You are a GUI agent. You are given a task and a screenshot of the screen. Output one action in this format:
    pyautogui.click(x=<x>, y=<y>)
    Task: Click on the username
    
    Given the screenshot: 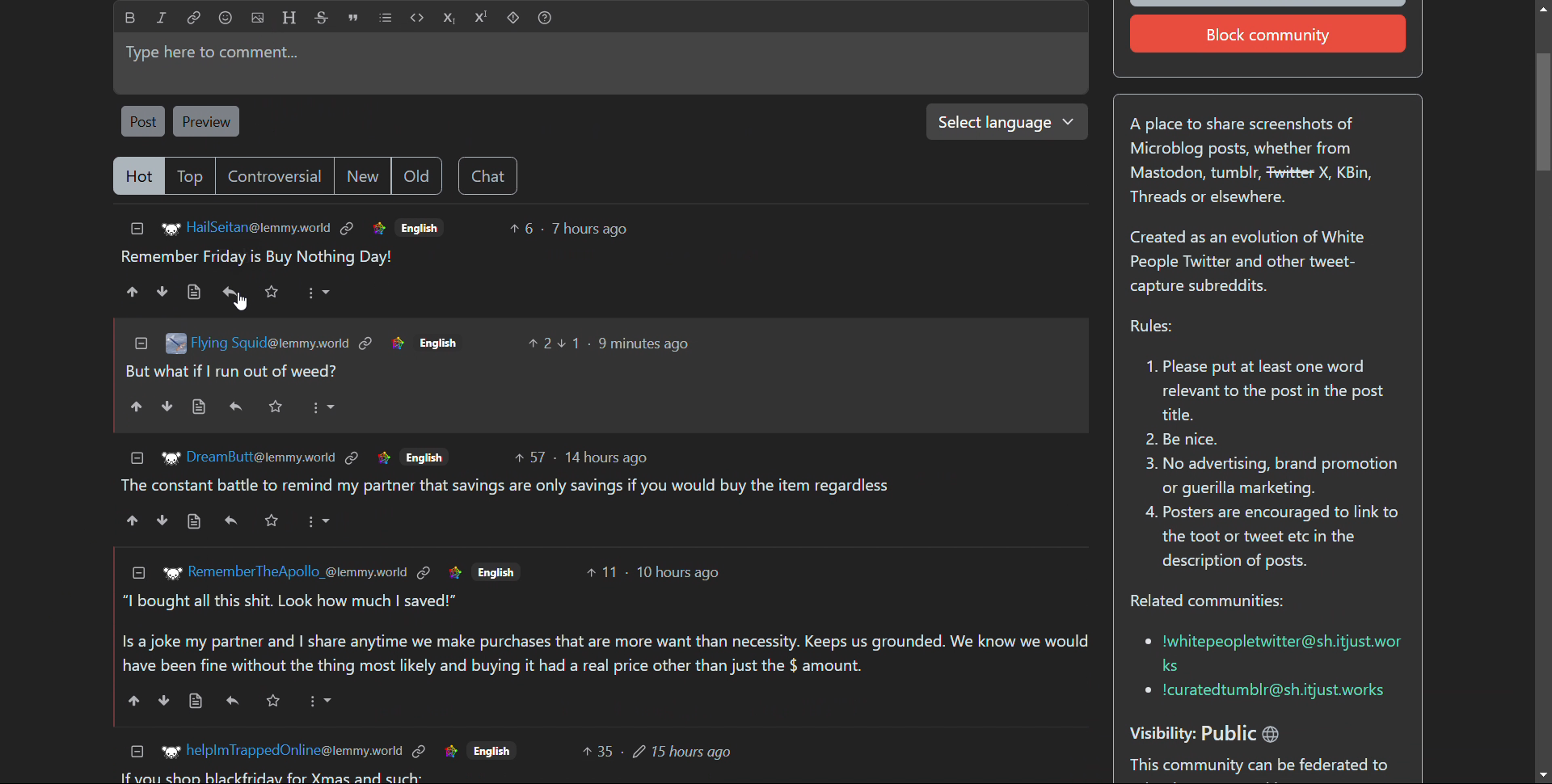 What is the action you would take?
    pyautogui.click(x=289, y=751)
    